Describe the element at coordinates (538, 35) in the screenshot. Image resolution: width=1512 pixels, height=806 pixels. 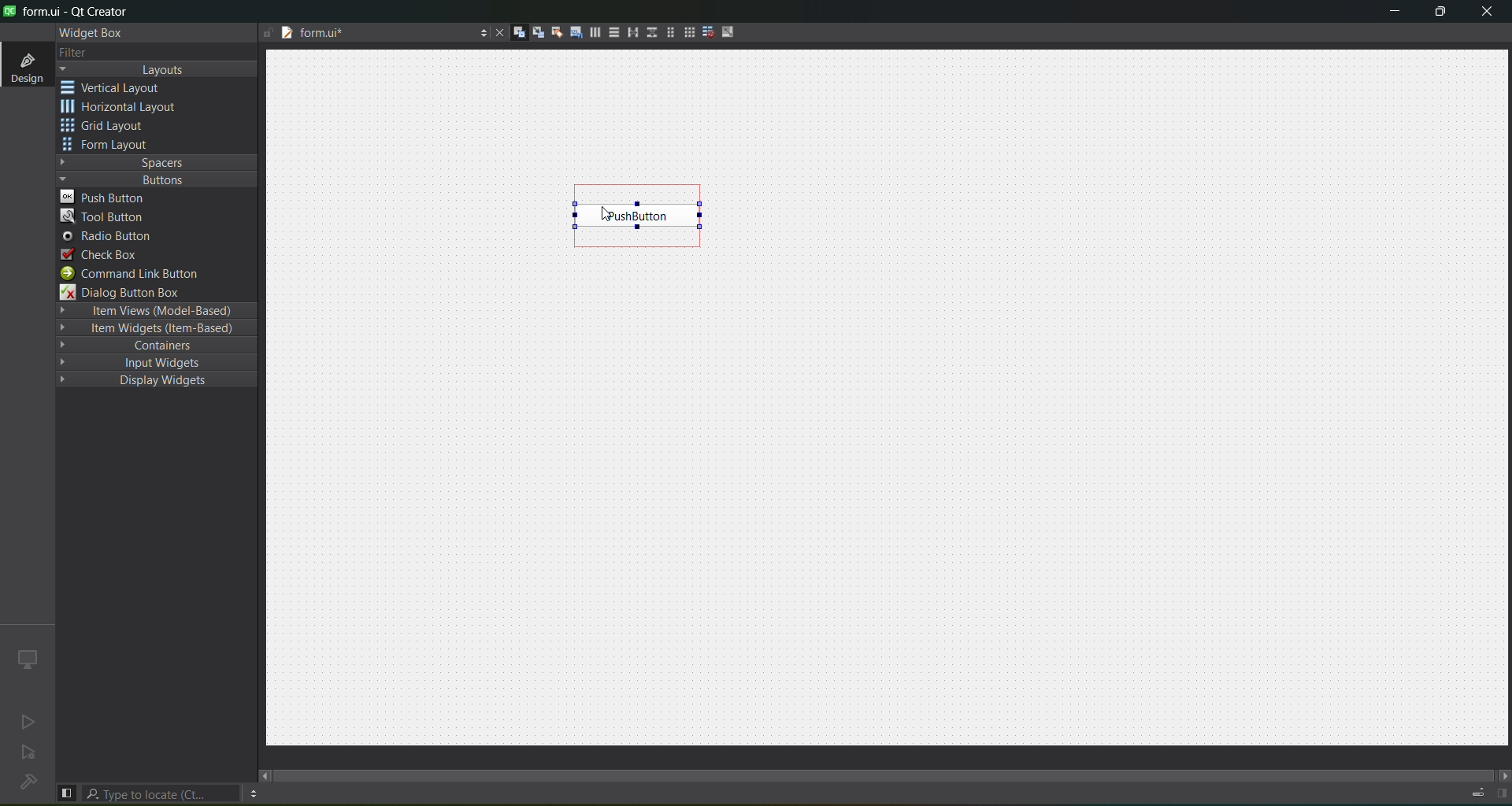
I see `edit signals` at that location.